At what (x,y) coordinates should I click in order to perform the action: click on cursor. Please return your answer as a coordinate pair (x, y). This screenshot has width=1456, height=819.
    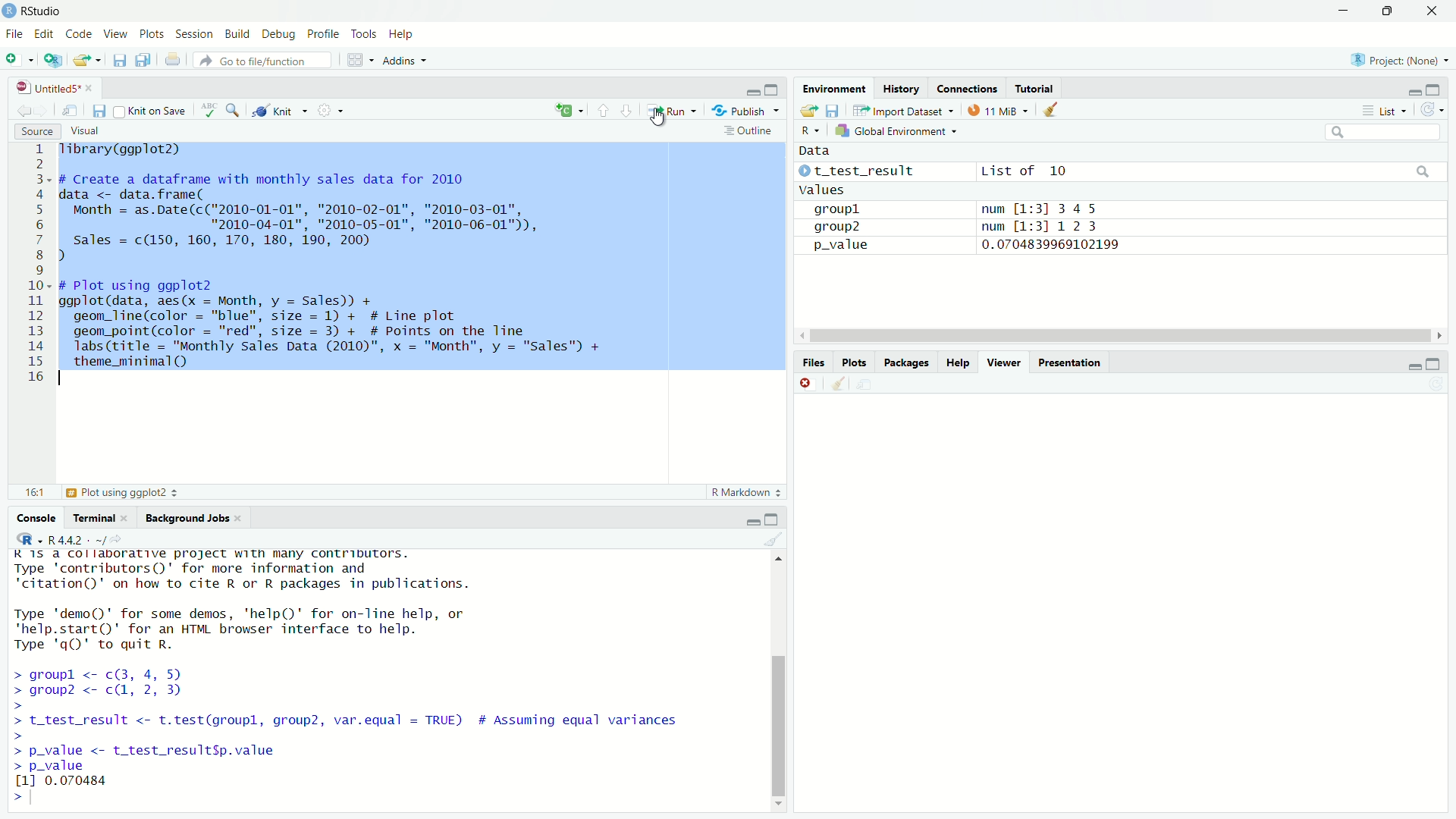
    Looking at the image, I should click on (659, 123).